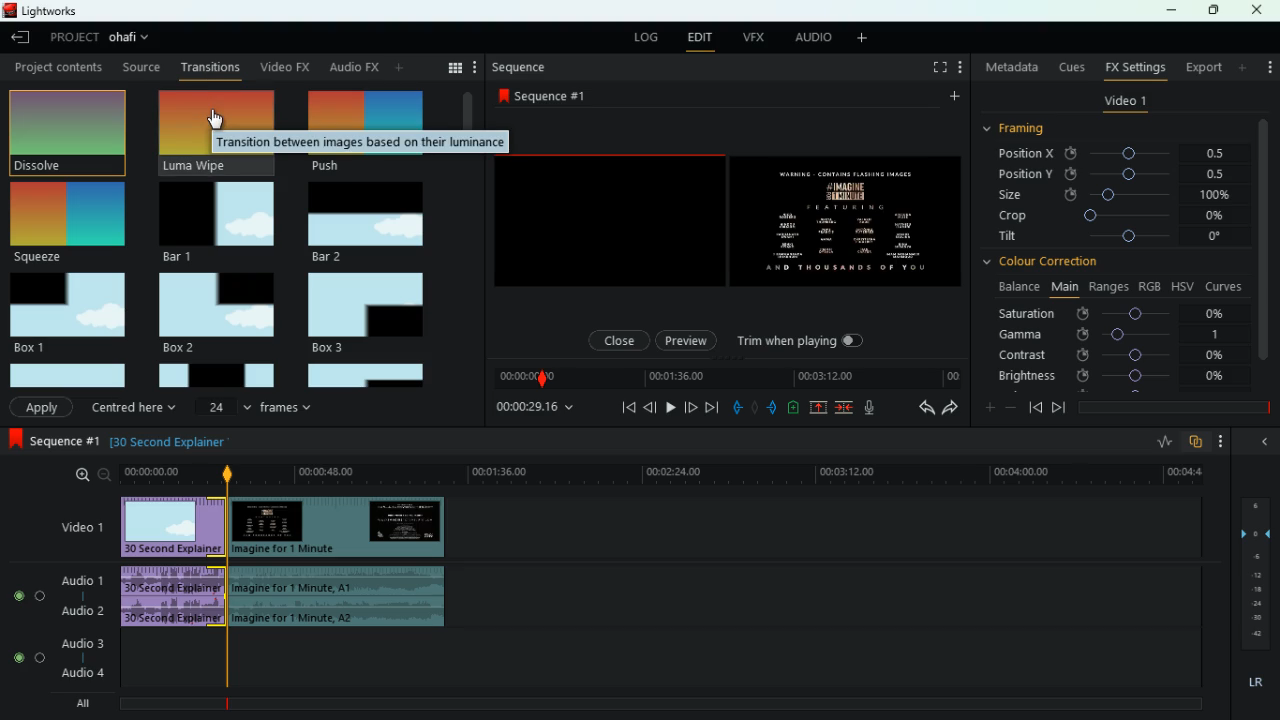 The height and width of the screenshot is (720, 1280). What do you see at coordinates (1116, 313) in the screenshot?
I see `saturation` at bounding box center [1116, 313].